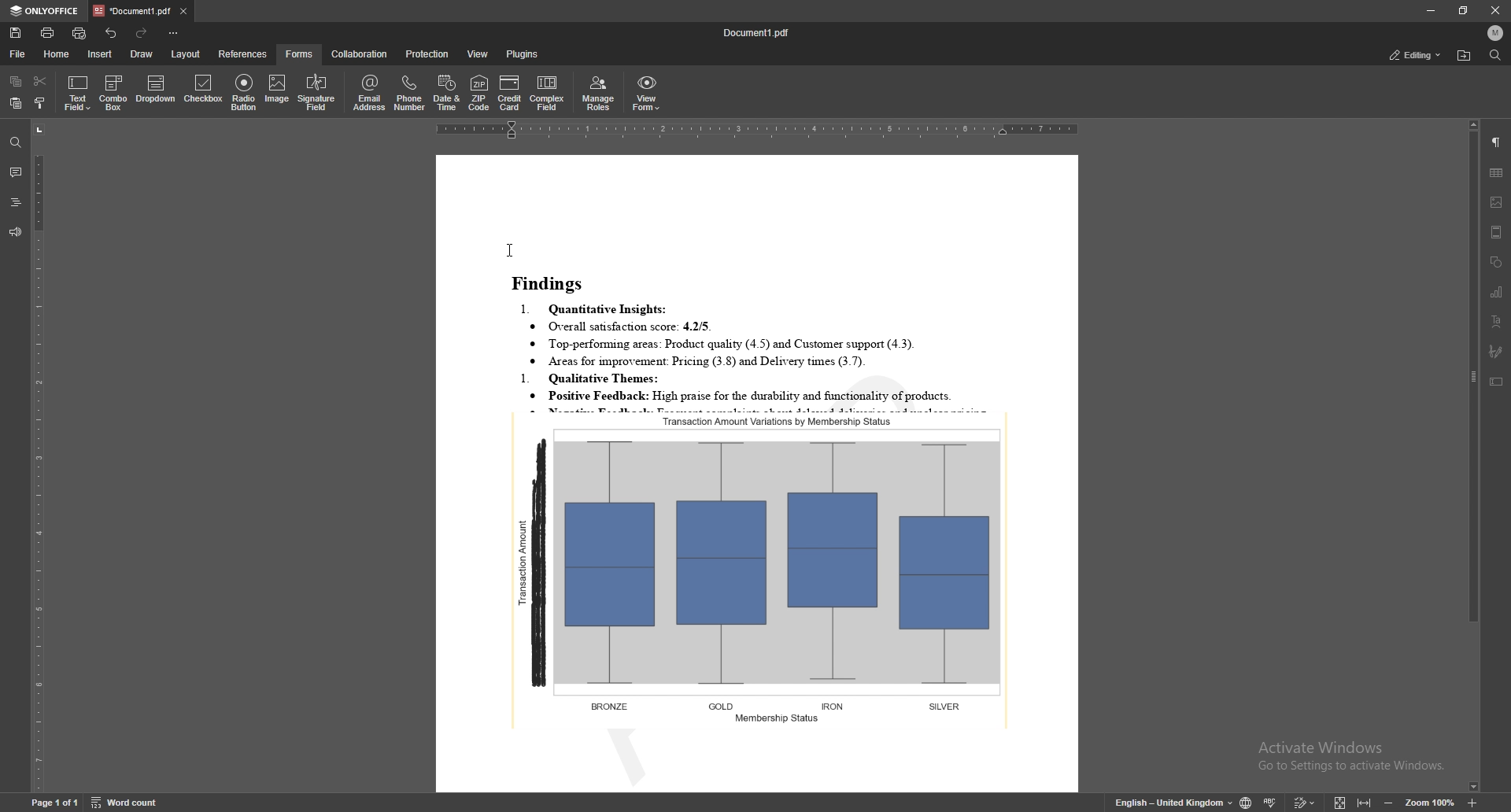 The width and height of the screenshot is (1511, 812). Describe the element at coordinates (1496, 382) in the screenshot. I see `text box` at that location.